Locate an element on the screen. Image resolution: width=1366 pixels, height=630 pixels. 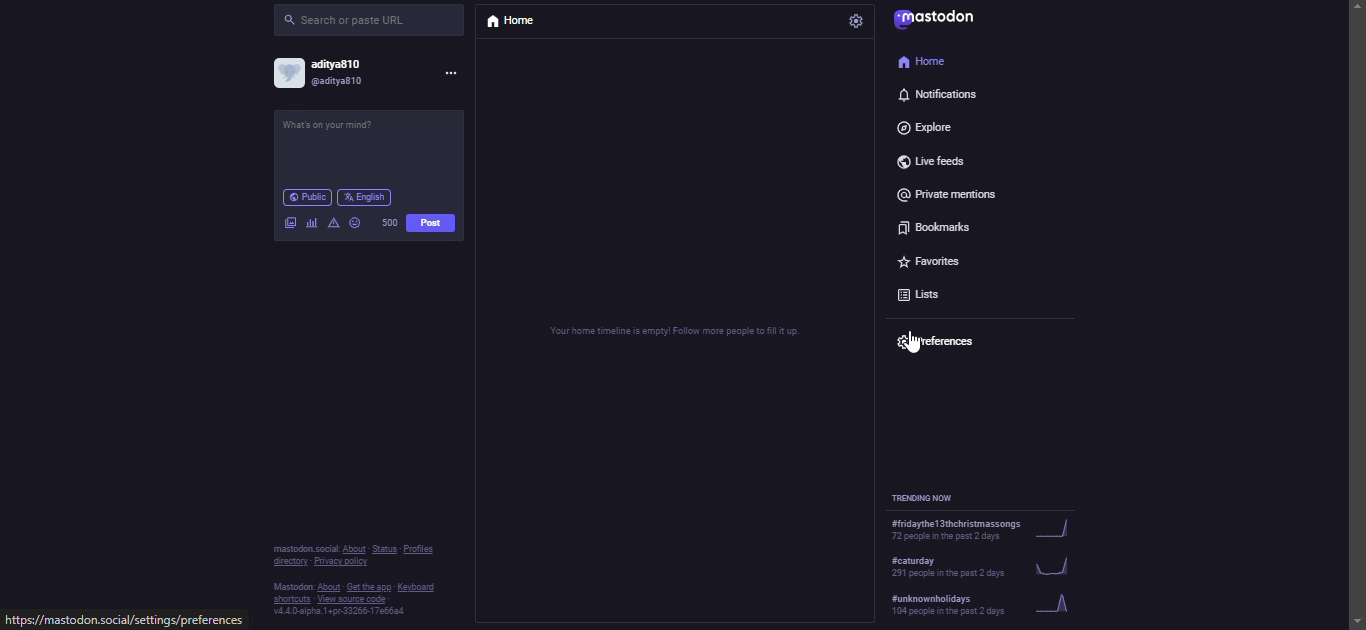
home is located at coordinates (922, 60).